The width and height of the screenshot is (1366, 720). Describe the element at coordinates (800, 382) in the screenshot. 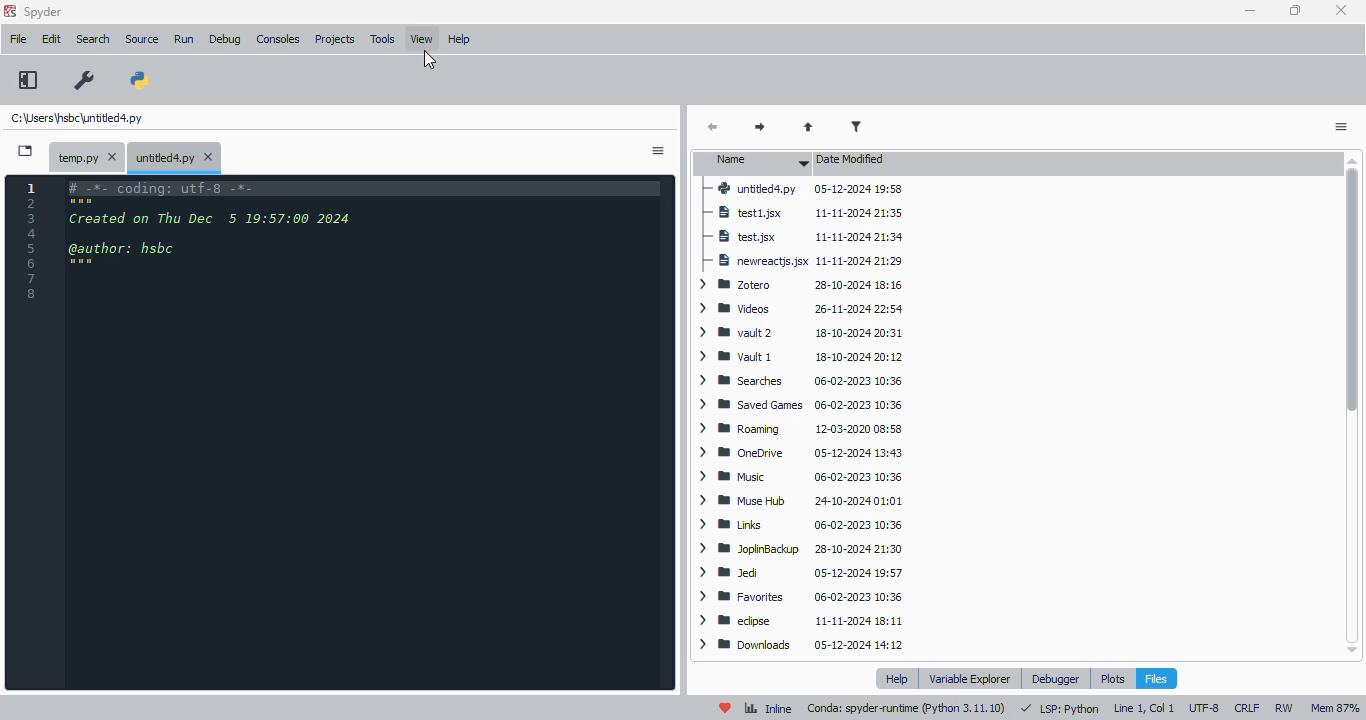

I see `searches` at that location.